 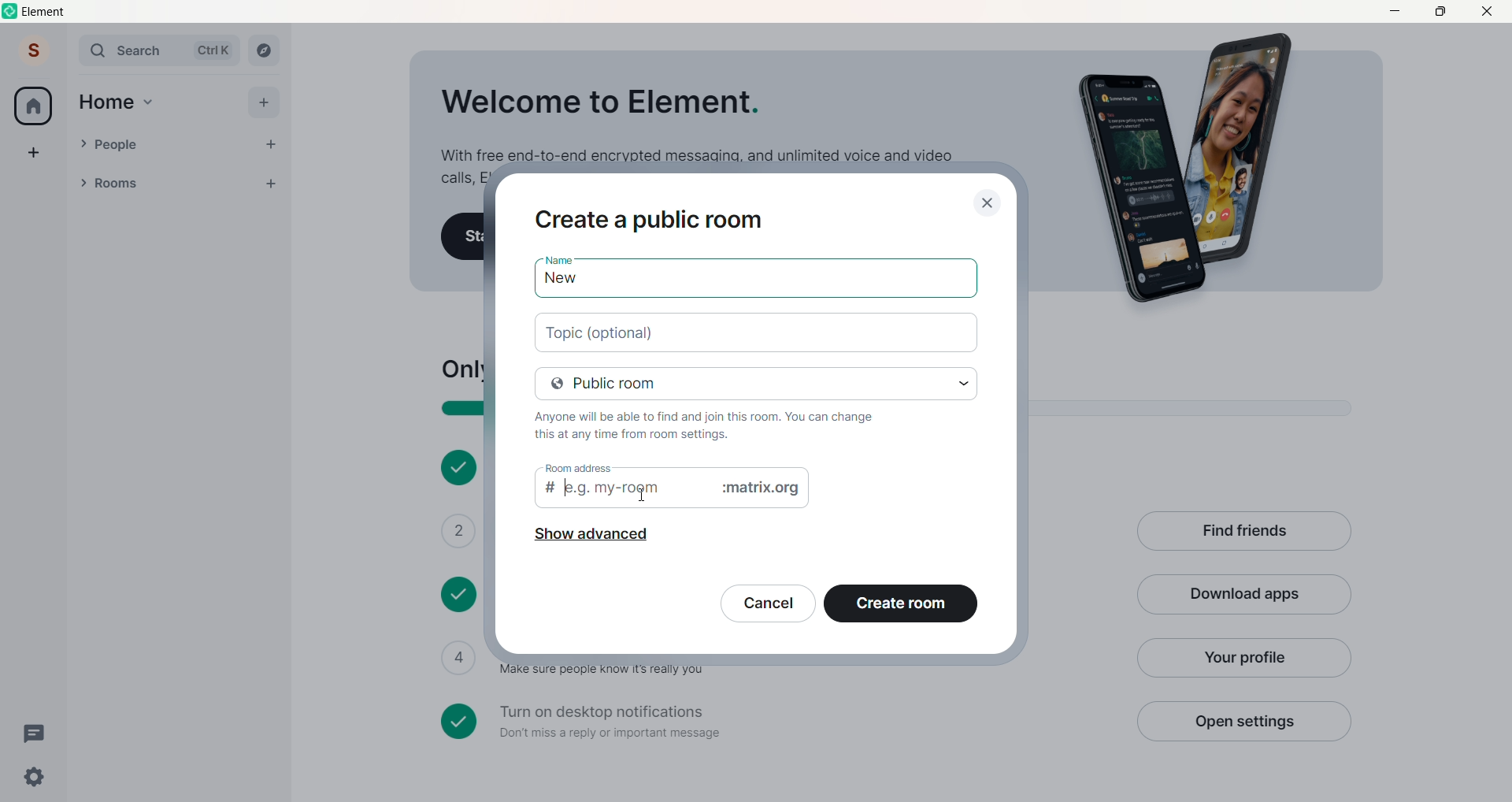 What do you see at coordinates (901, 607) in the screenshot?
I see `Create room` at bounding box center [901, 607].